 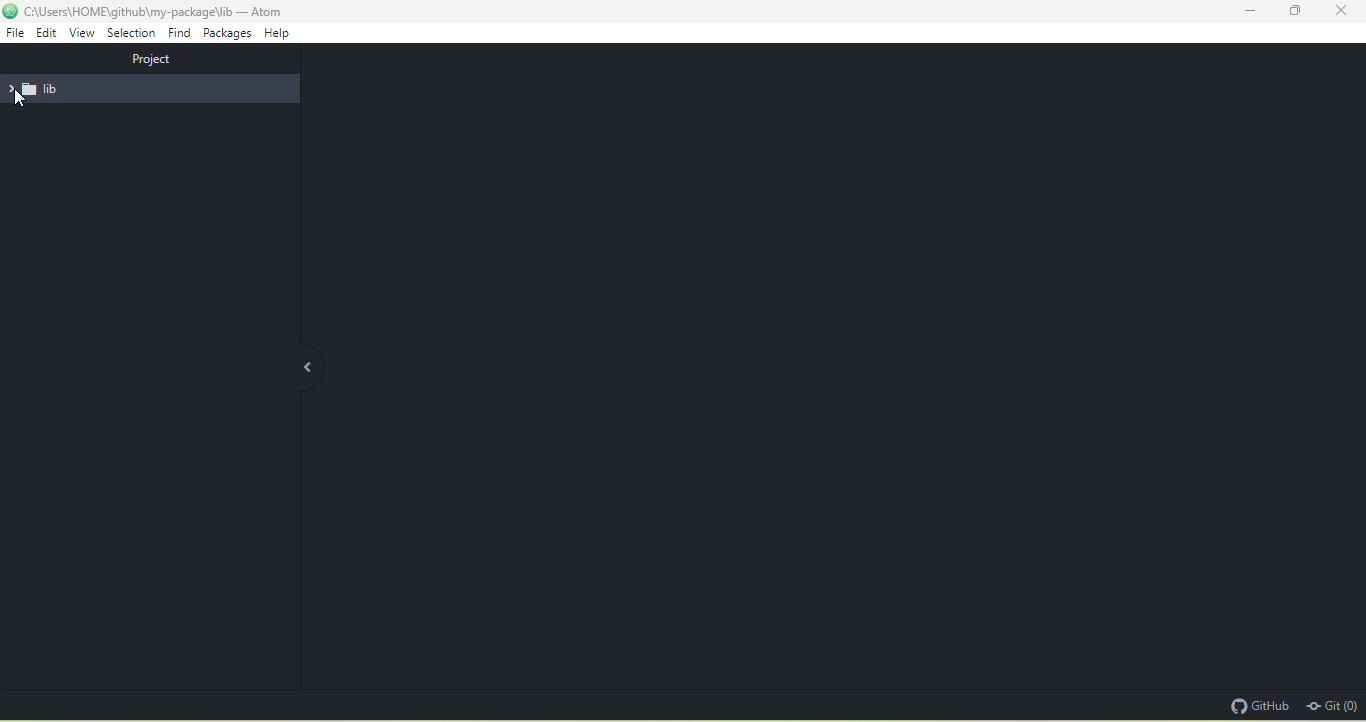 What do you see at coordinates (162, 58) in the screenshot?
I see `project` at bounding box center [162, 58].